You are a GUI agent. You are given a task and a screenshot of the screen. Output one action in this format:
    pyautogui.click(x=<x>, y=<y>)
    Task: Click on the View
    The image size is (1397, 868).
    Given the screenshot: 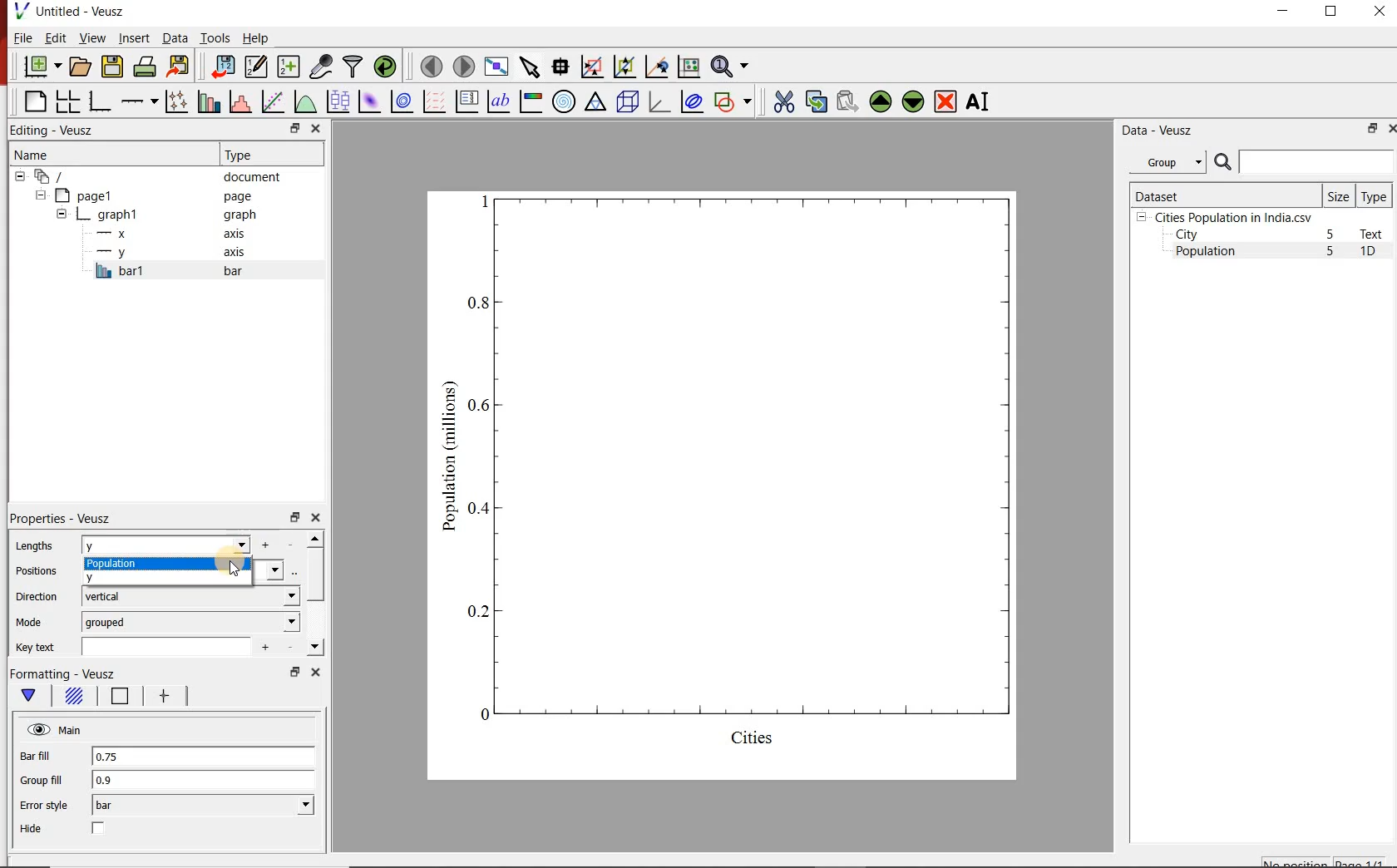 What is the action you would take?
    pyautogui.click(x=89, y=37)
    